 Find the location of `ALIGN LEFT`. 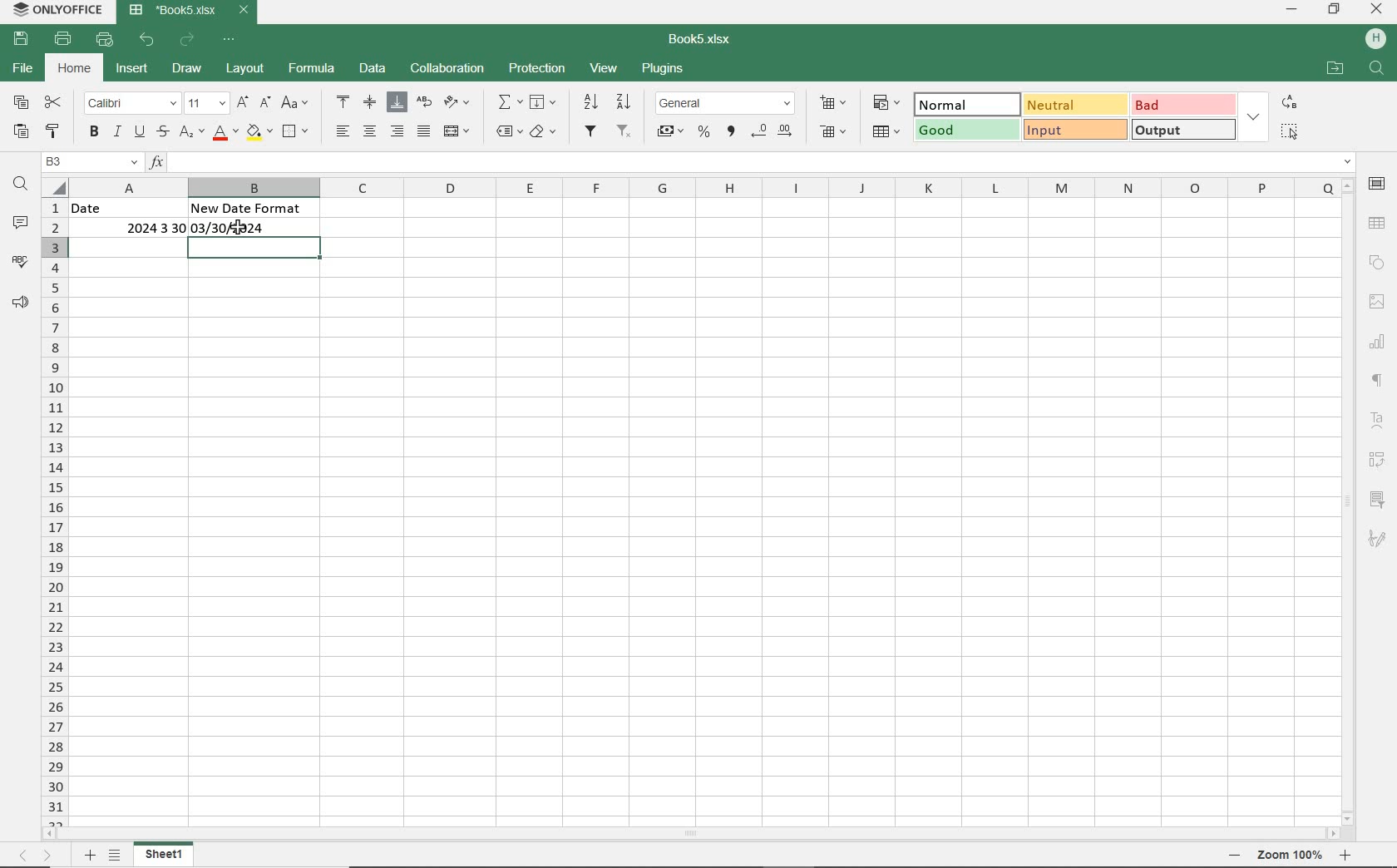

ALIGN LEFT is located at coordinates (341, 131).